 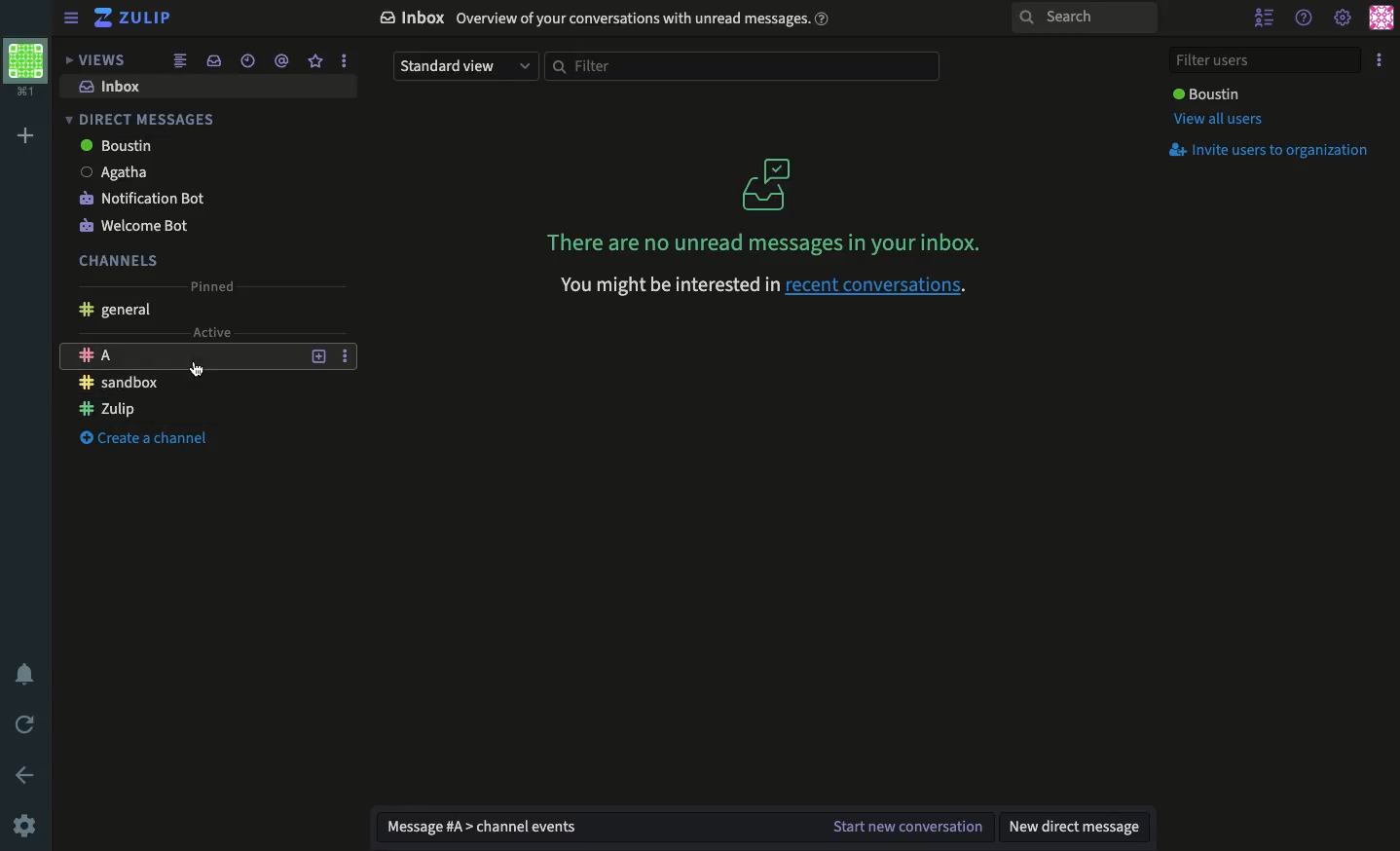 What do you see at coordinates (111, 87) in the screenshot?
I see `Inbox` at bounding box center [111, 87].